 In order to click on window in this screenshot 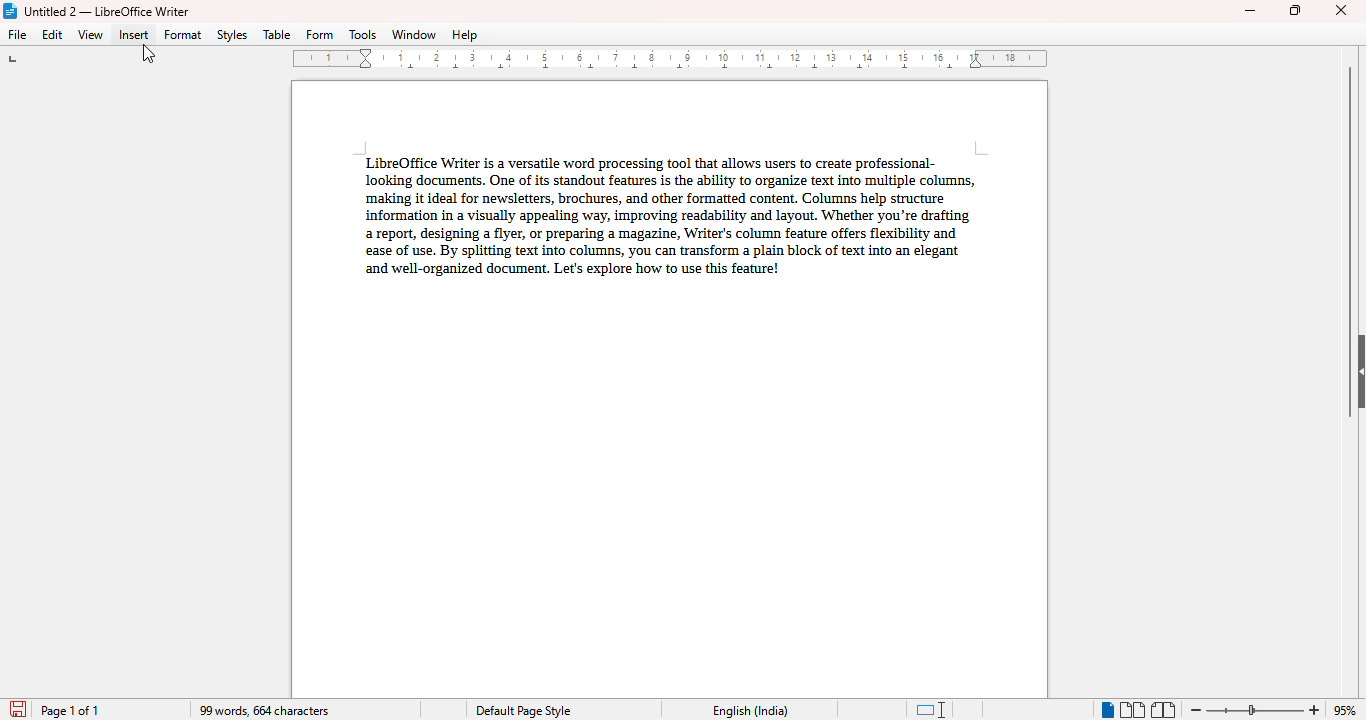, I will do `click(414, 34)`.